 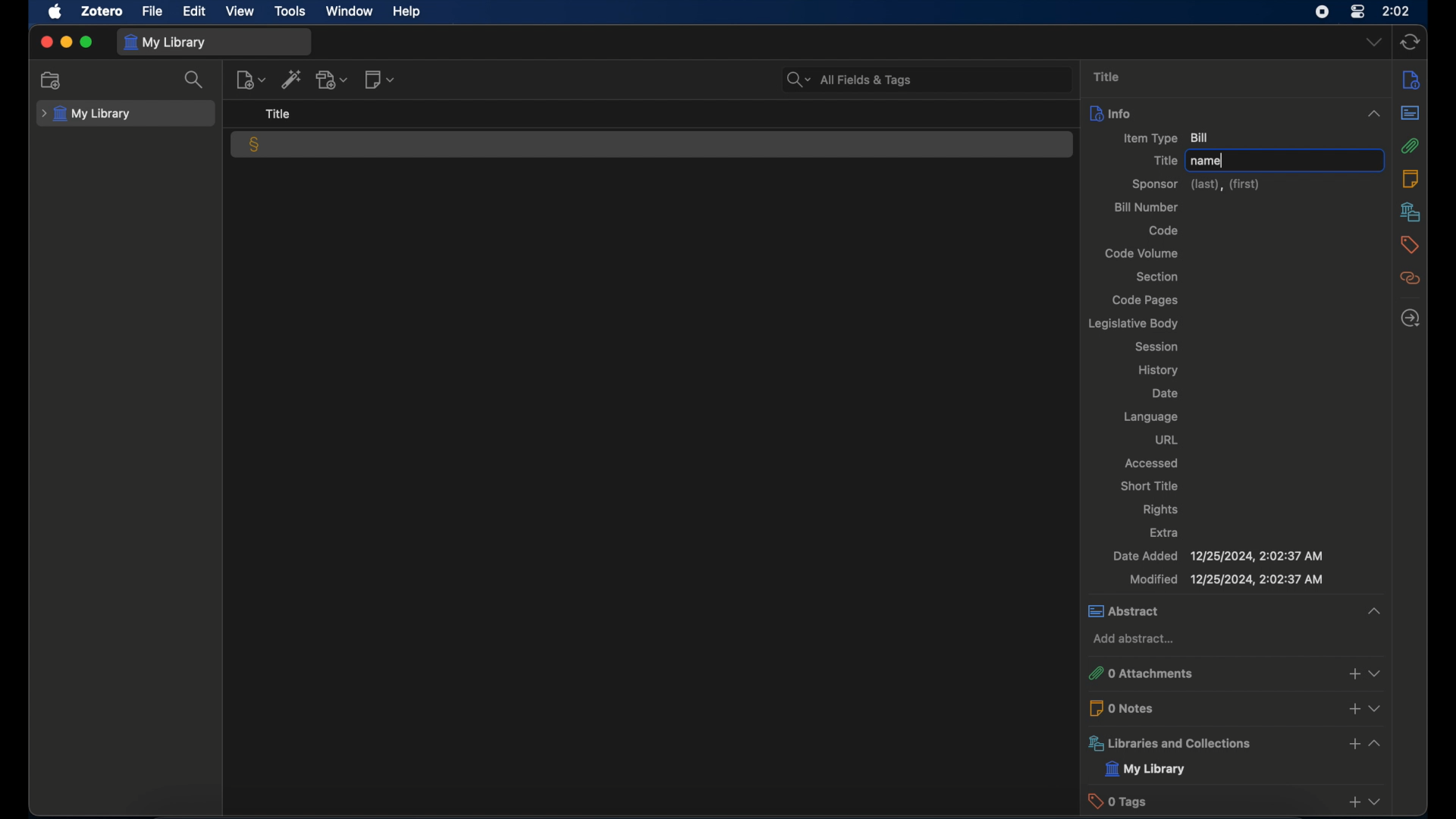 What do you see at coordinates (290, 80) in the screenshot?
I see `add item by identifier` at bounding box center [290, 80].